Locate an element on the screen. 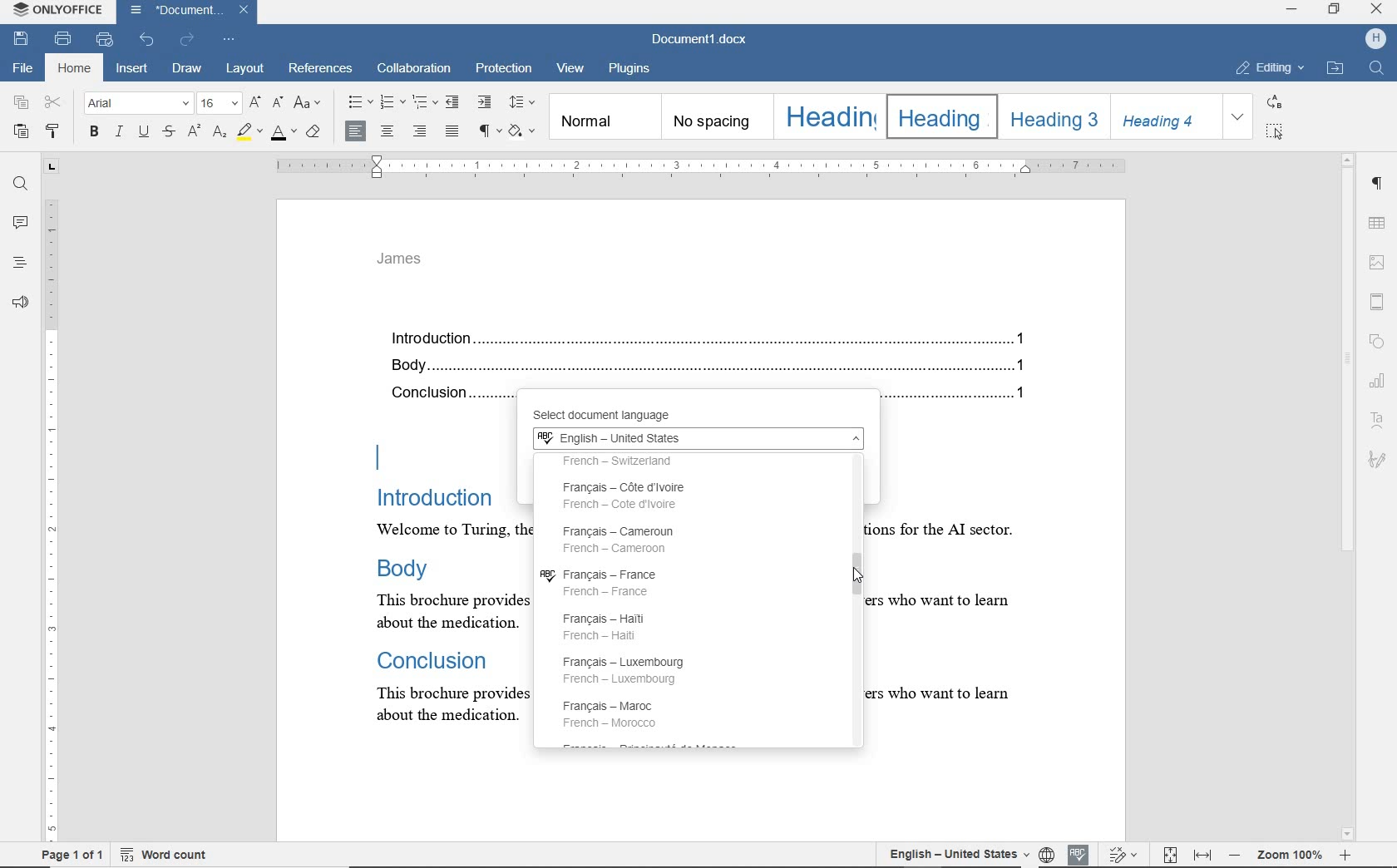 The height and width of the screenshot is (868, 1397). scrollbar is located at coordinates (853, 594).